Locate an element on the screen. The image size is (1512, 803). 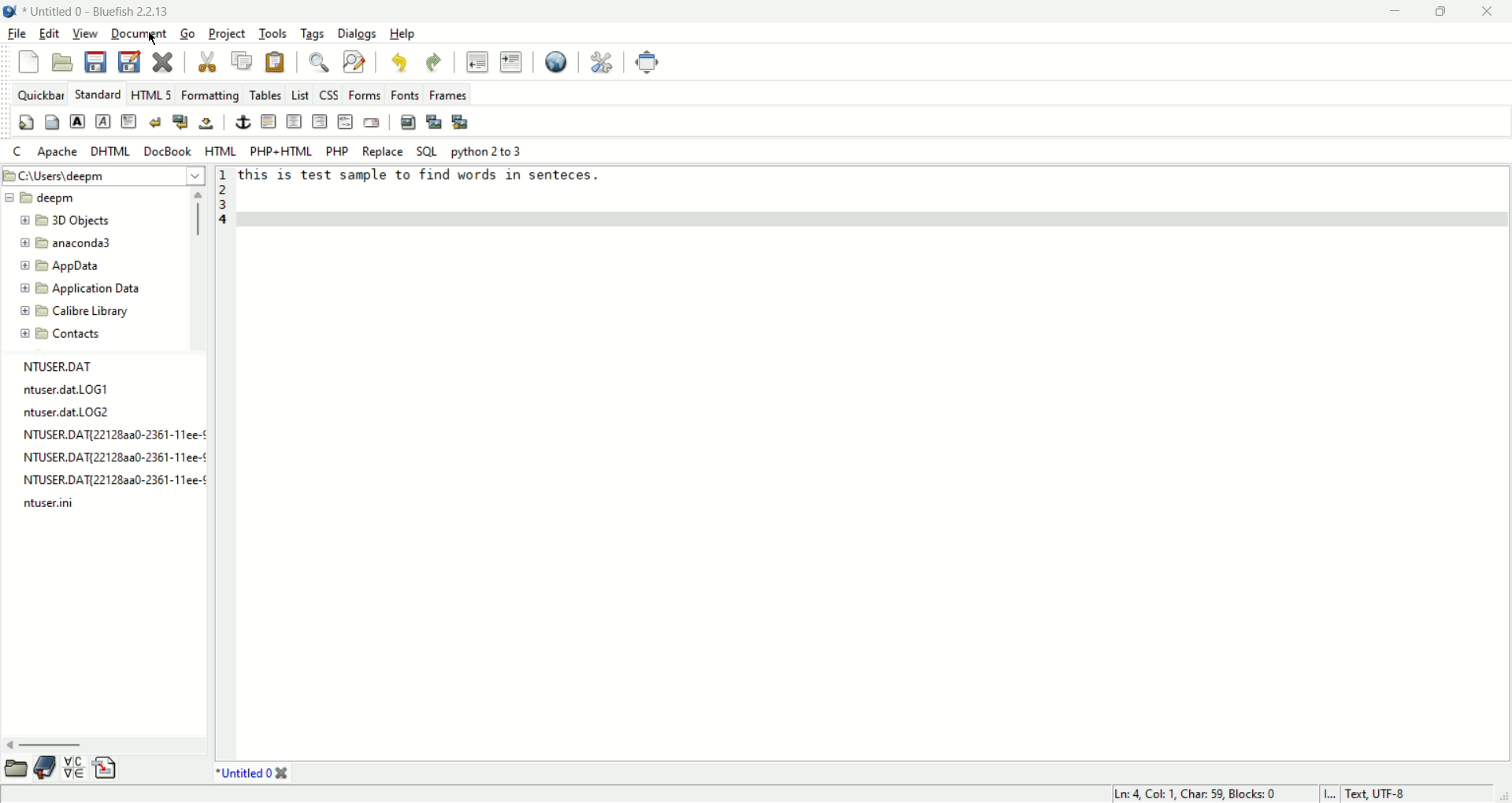
quickbar is located at coordinates (39, 95).